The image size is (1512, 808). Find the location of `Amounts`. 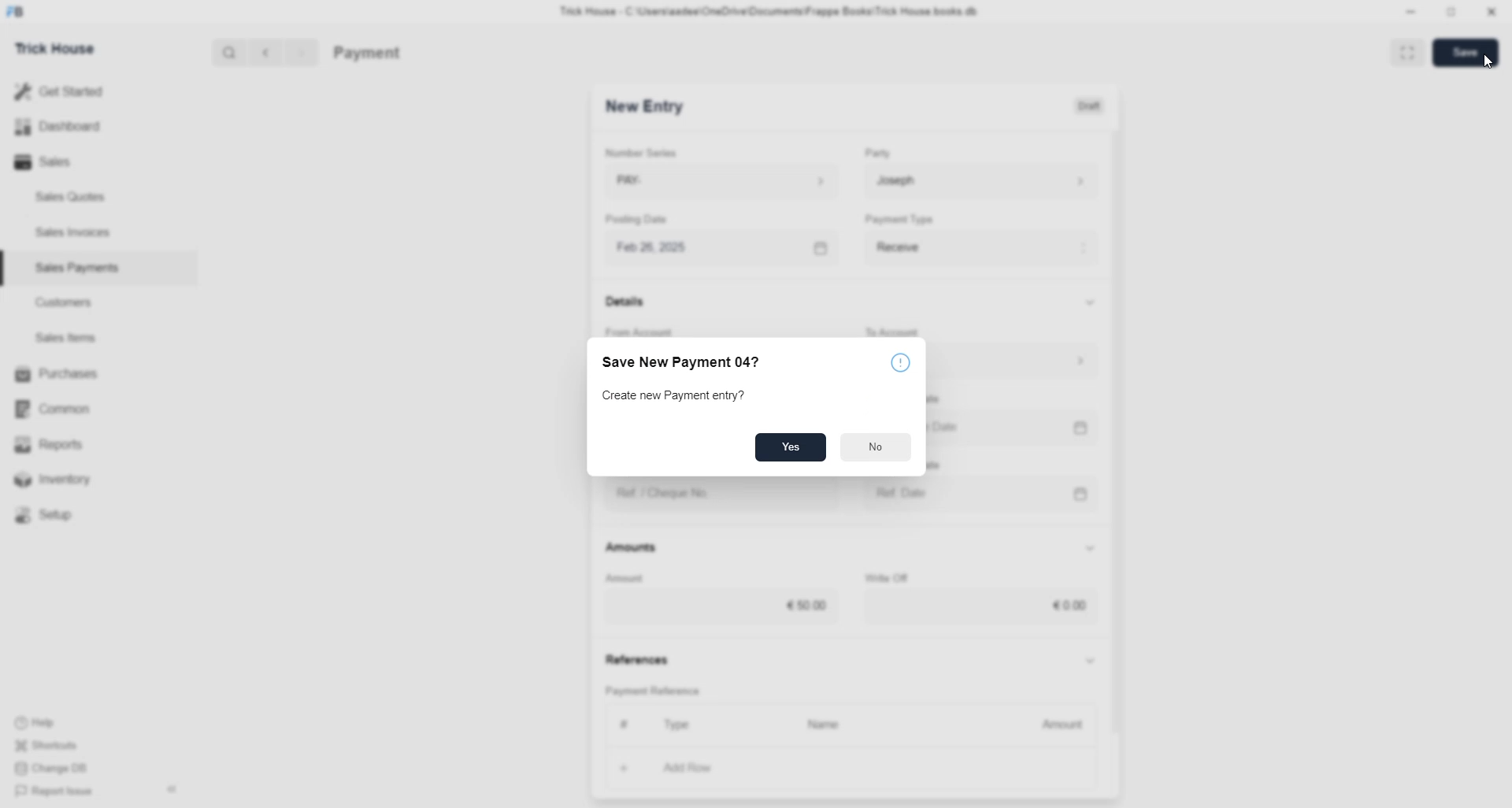

Amounts is located at coordinates (632, 548).